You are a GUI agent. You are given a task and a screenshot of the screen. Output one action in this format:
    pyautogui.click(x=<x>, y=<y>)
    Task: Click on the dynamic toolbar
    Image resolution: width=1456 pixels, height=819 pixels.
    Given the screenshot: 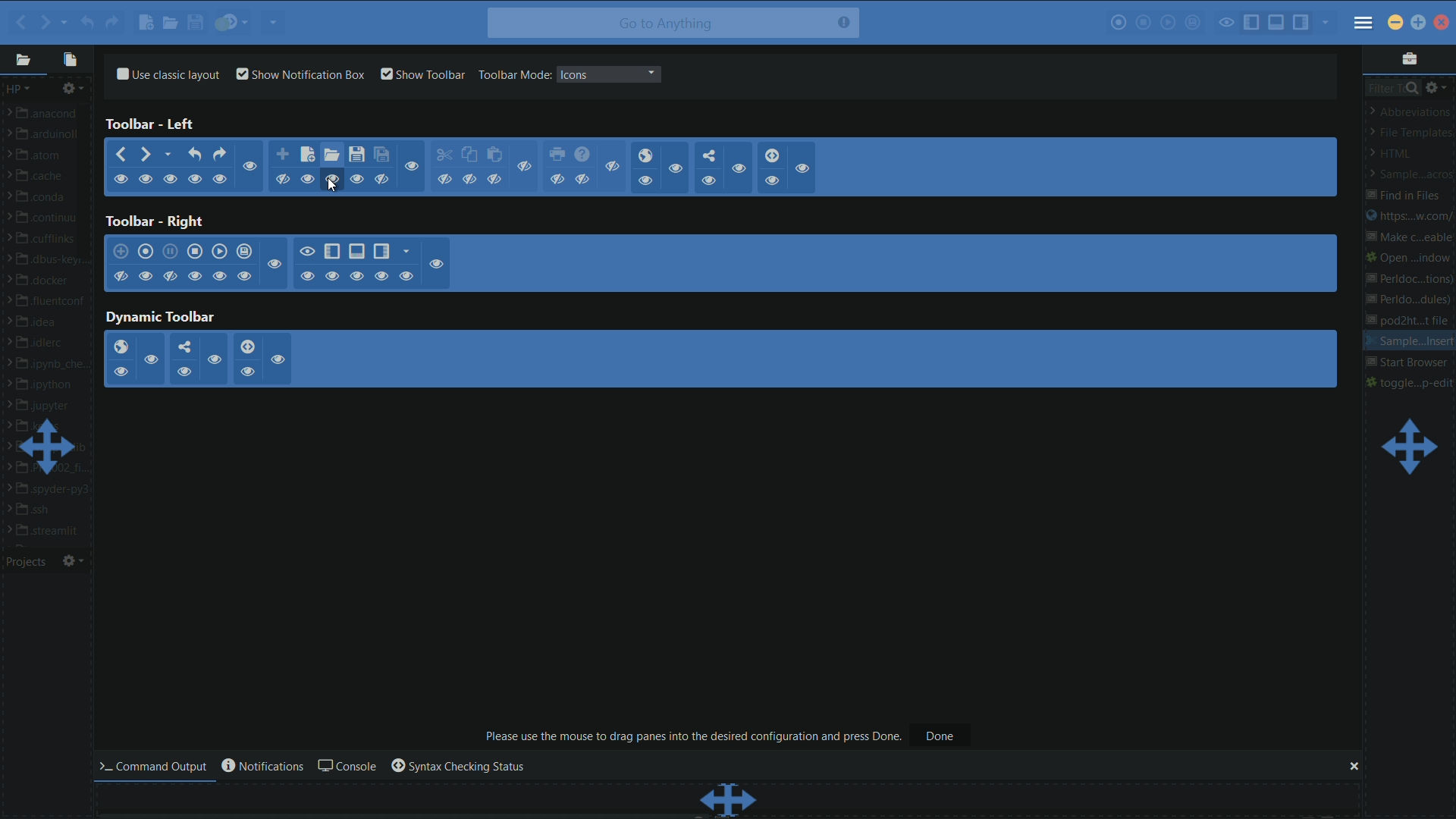 What is the action you would take?
    pyautogui.click(x=161, y=318)
    